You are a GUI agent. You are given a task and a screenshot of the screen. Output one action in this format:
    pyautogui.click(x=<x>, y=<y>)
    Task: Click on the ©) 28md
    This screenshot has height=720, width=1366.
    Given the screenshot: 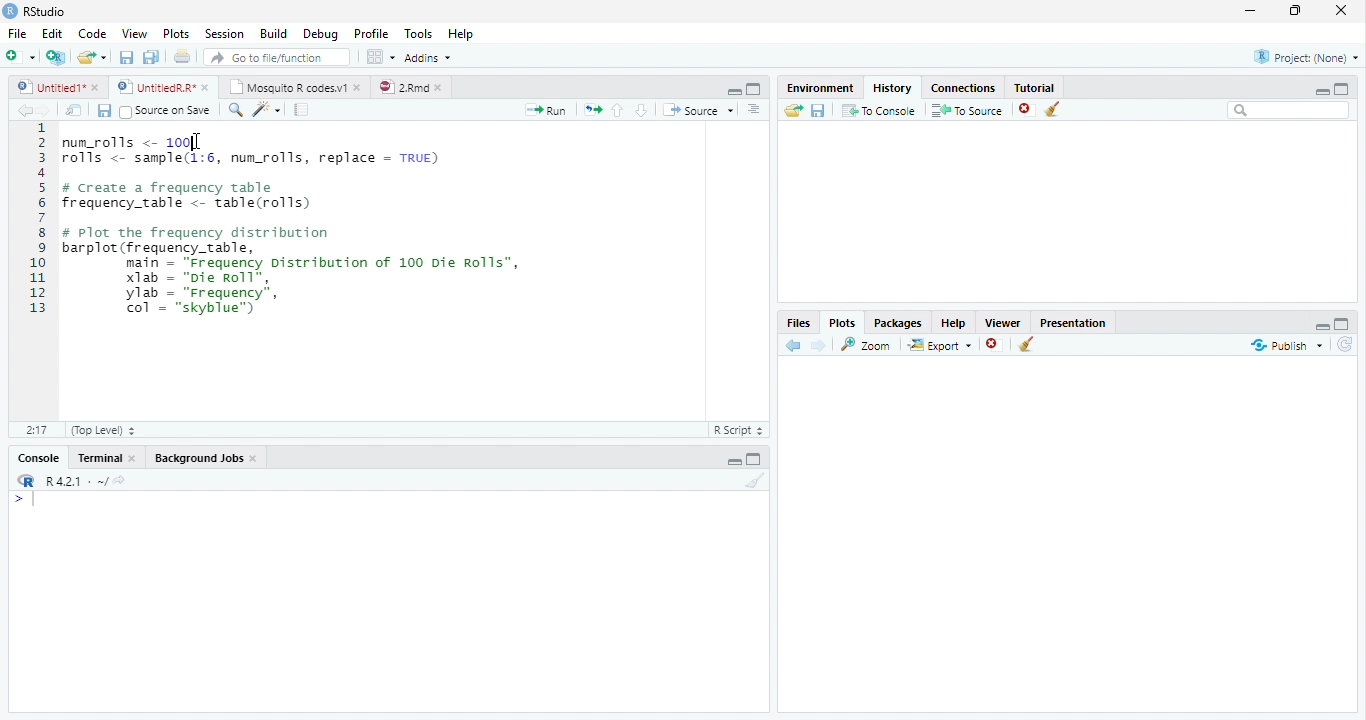 What is the action you would take?
    pyautogui.click(x=410, y=87)
    